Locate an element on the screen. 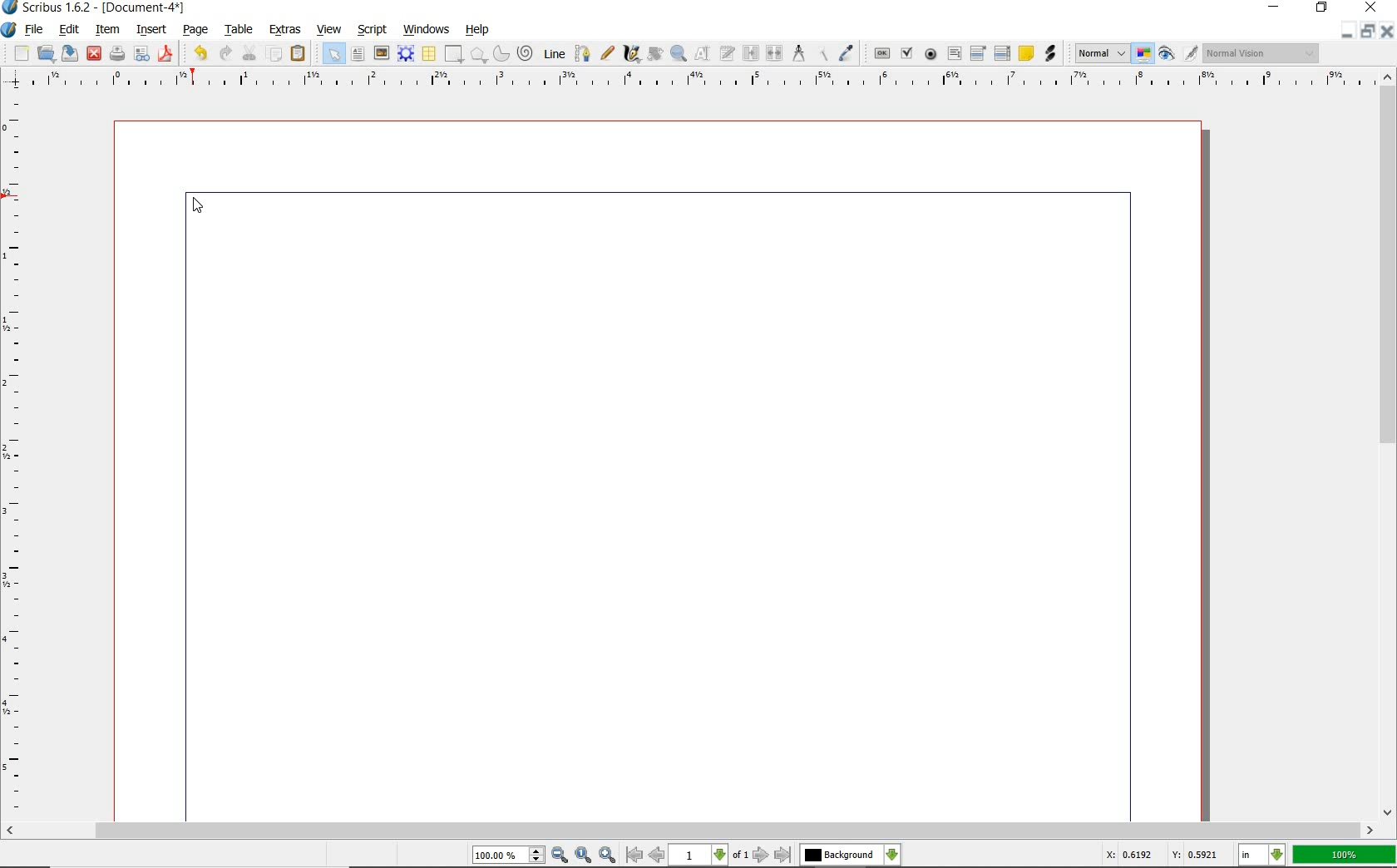 This screenshot has width=1397, height=868. ruler is located at coordinates (15, 457).